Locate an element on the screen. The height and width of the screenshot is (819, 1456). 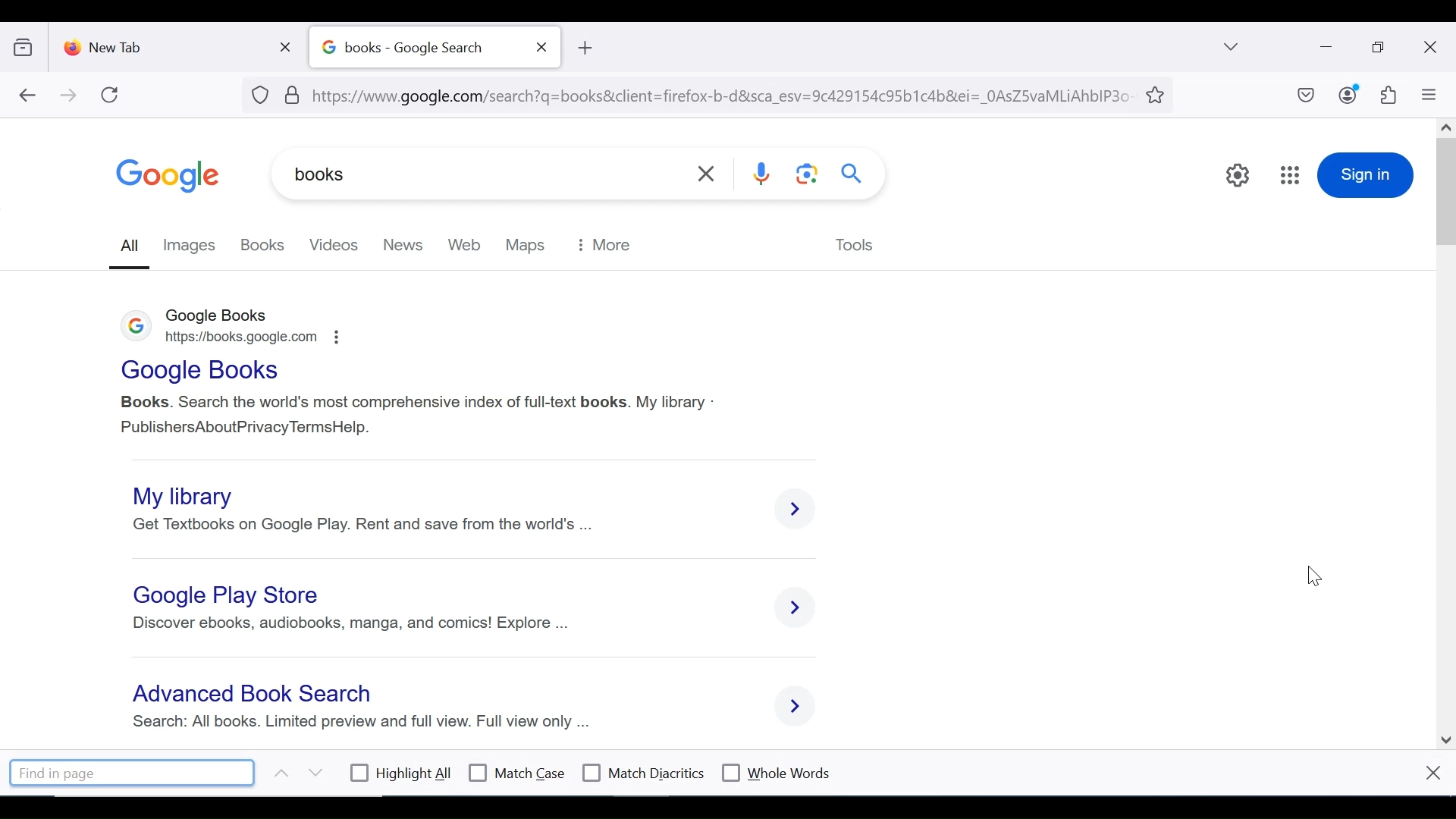
back is located at coordinates (27, 96).